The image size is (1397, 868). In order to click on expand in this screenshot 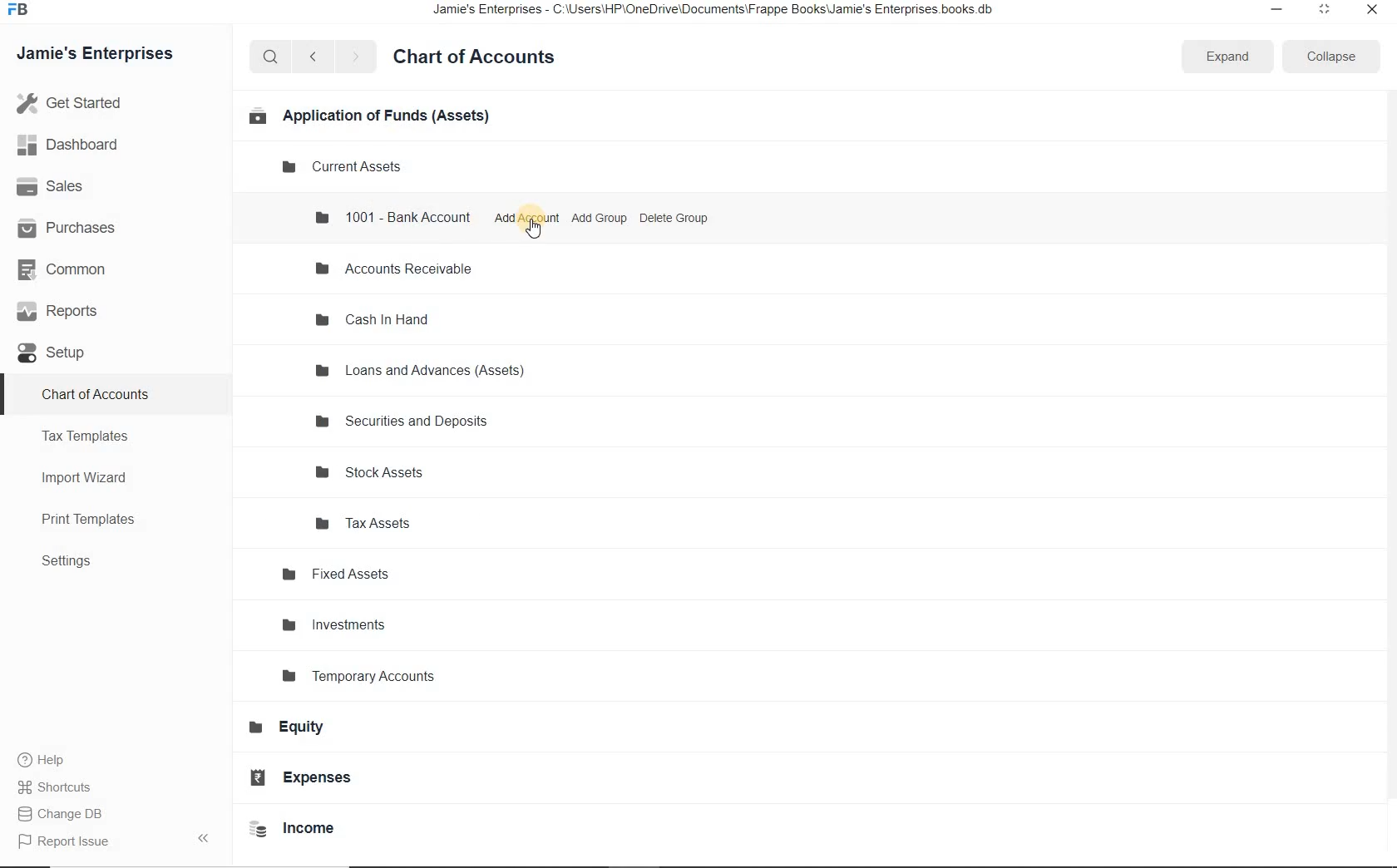, I will do `click(1226, 57)`.